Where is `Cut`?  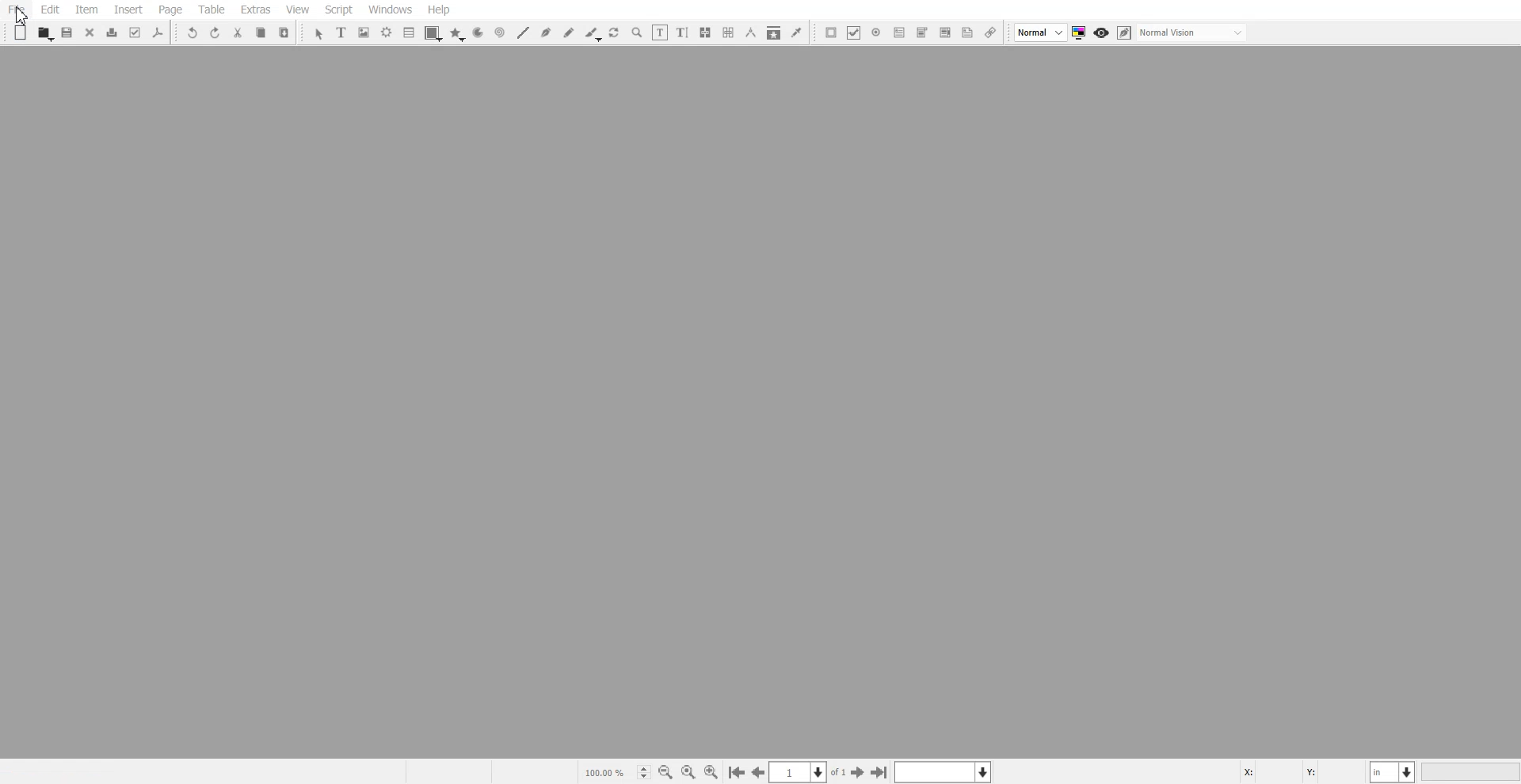
Cut is located at coordinates (238, 32).